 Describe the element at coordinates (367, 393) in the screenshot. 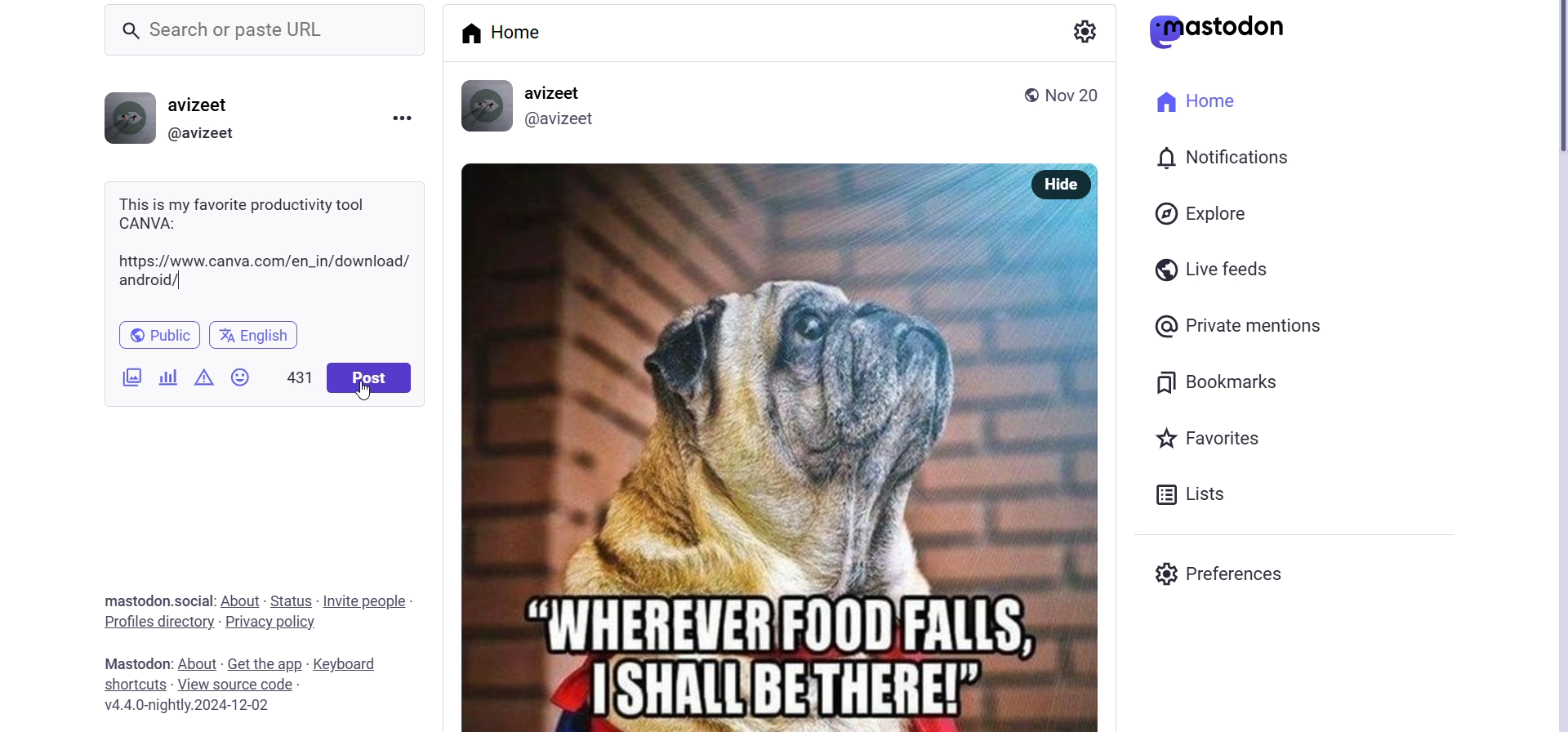

I see `cursor` at that location.